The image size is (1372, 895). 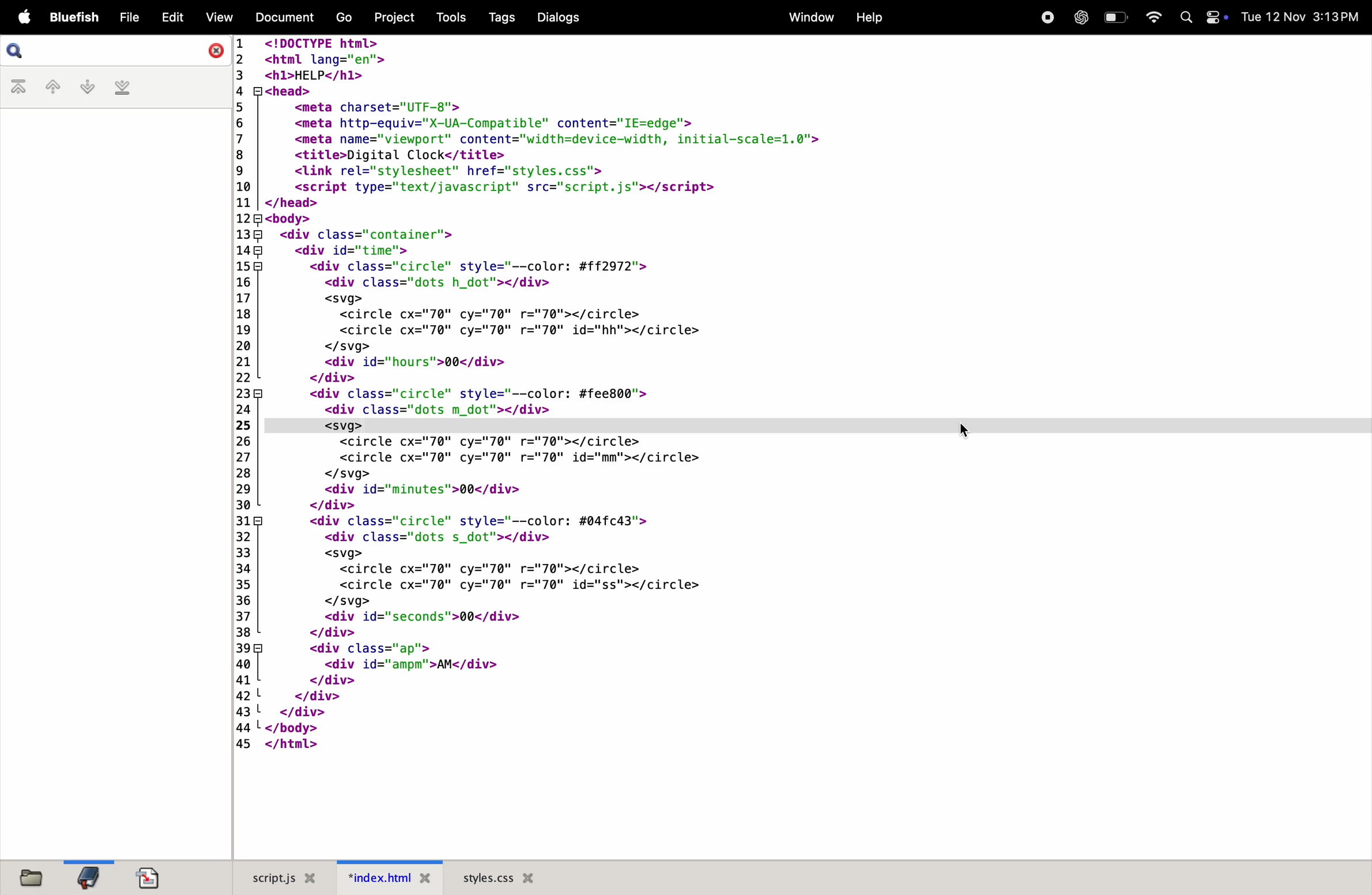 I want to click on styles.css, so click(x=499, y=877).